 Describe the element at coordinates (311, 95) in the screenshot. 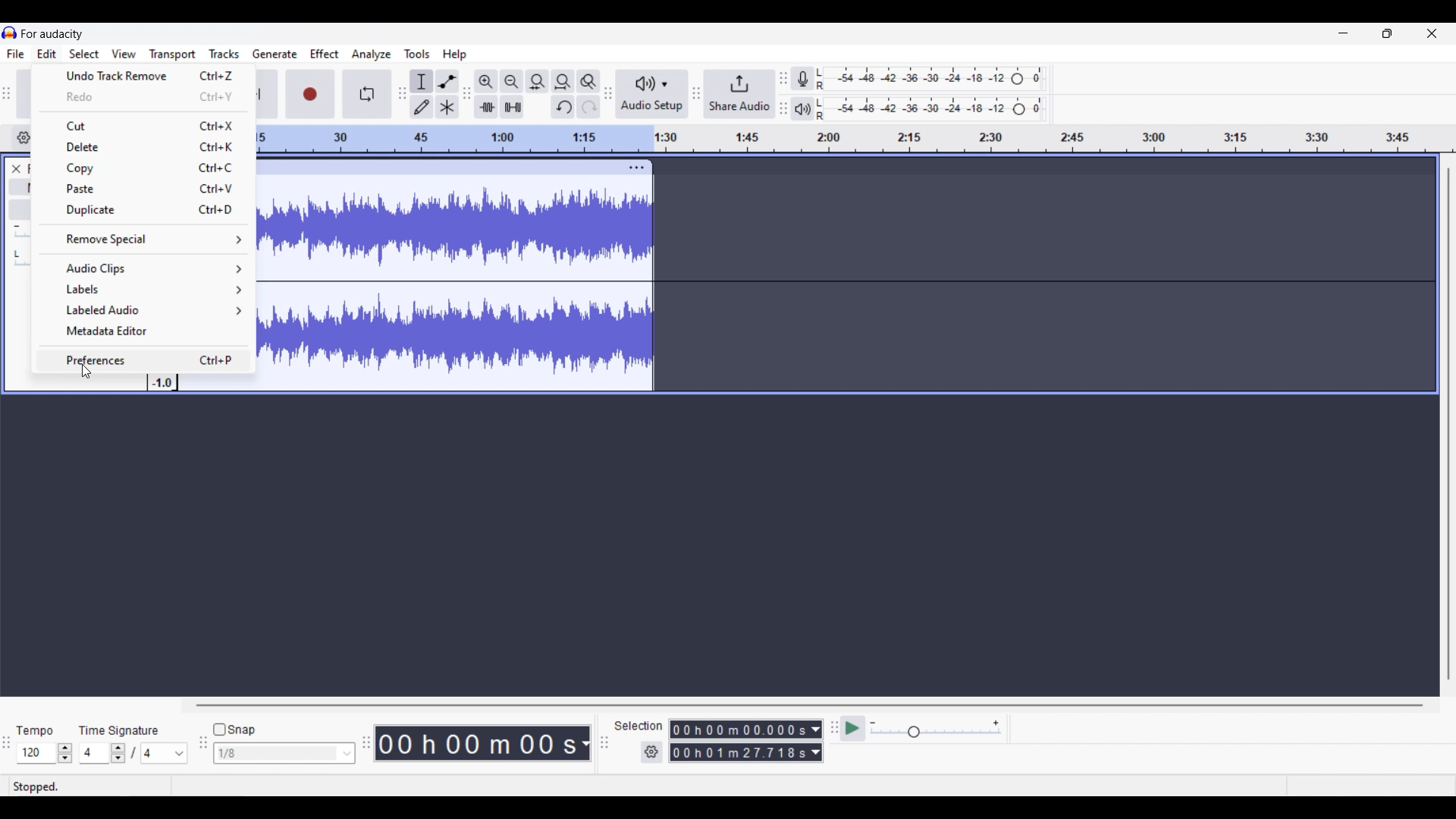

I see `Record/Record new track` at that location.